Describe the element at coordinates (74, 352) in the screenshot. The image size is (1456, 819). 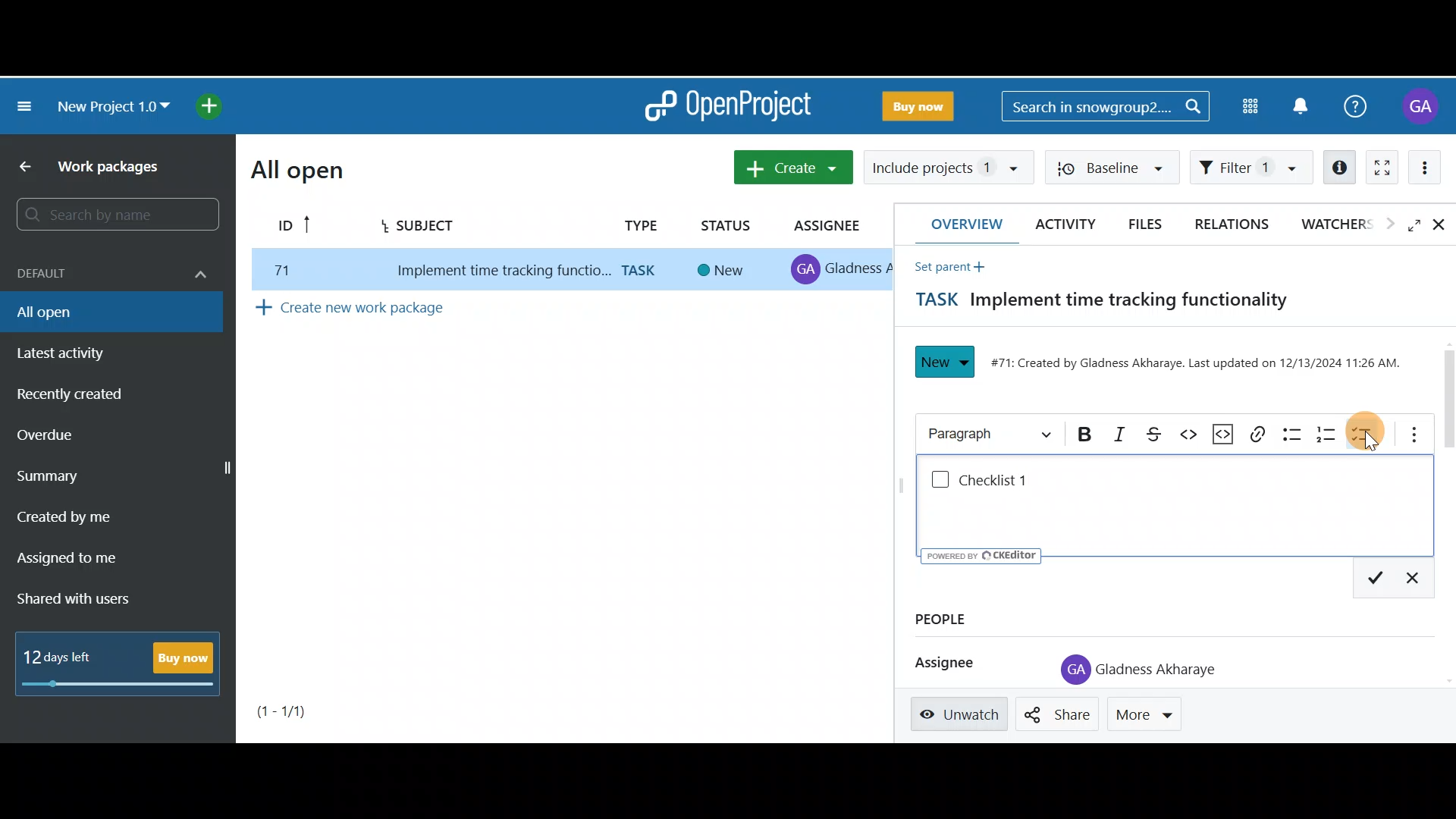
I see `Latest activity` at that location.